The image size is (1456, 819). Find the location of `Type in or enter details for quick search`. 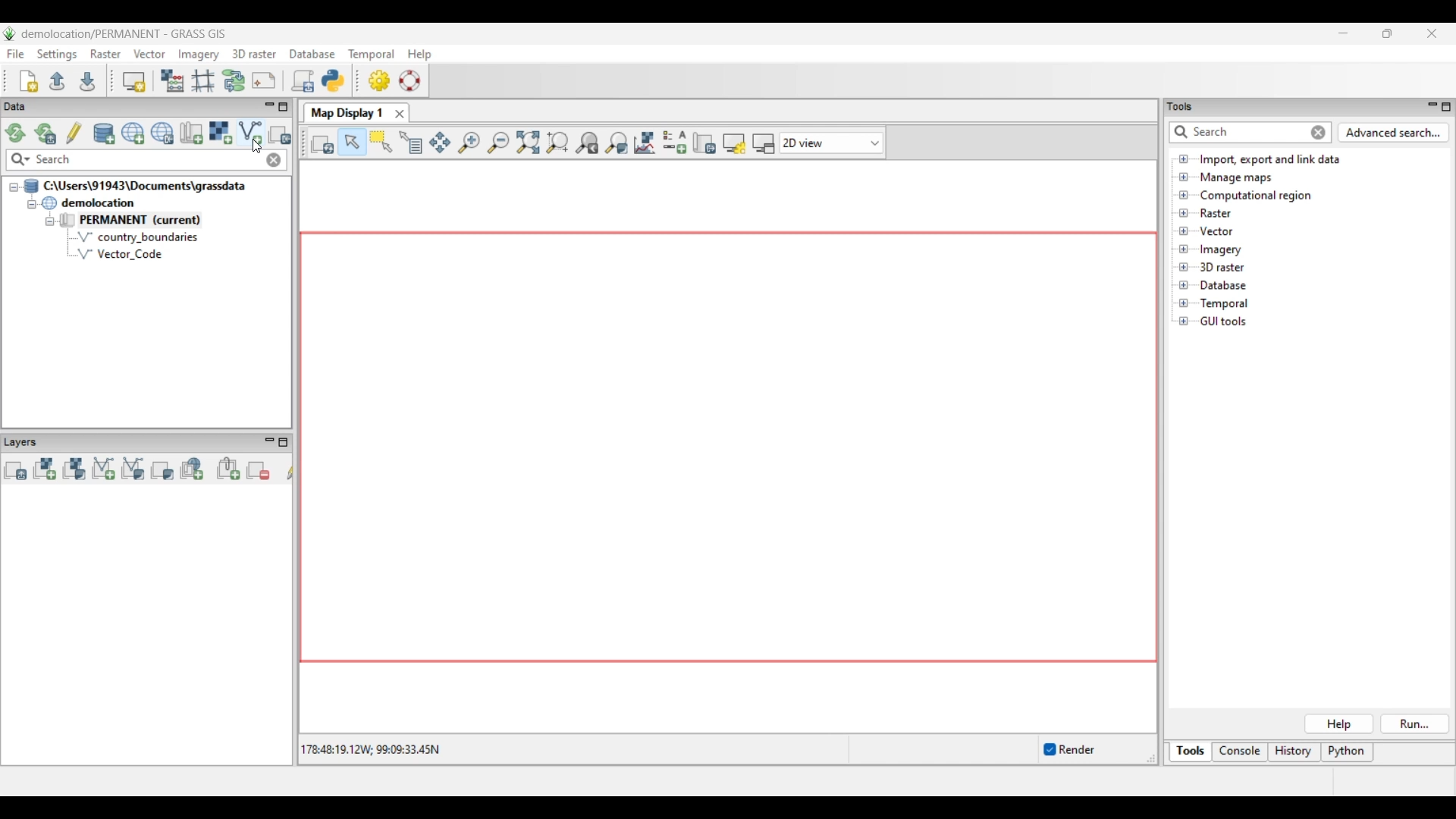

Type in or enter details for quick search is located at coordinates (1235, 132).